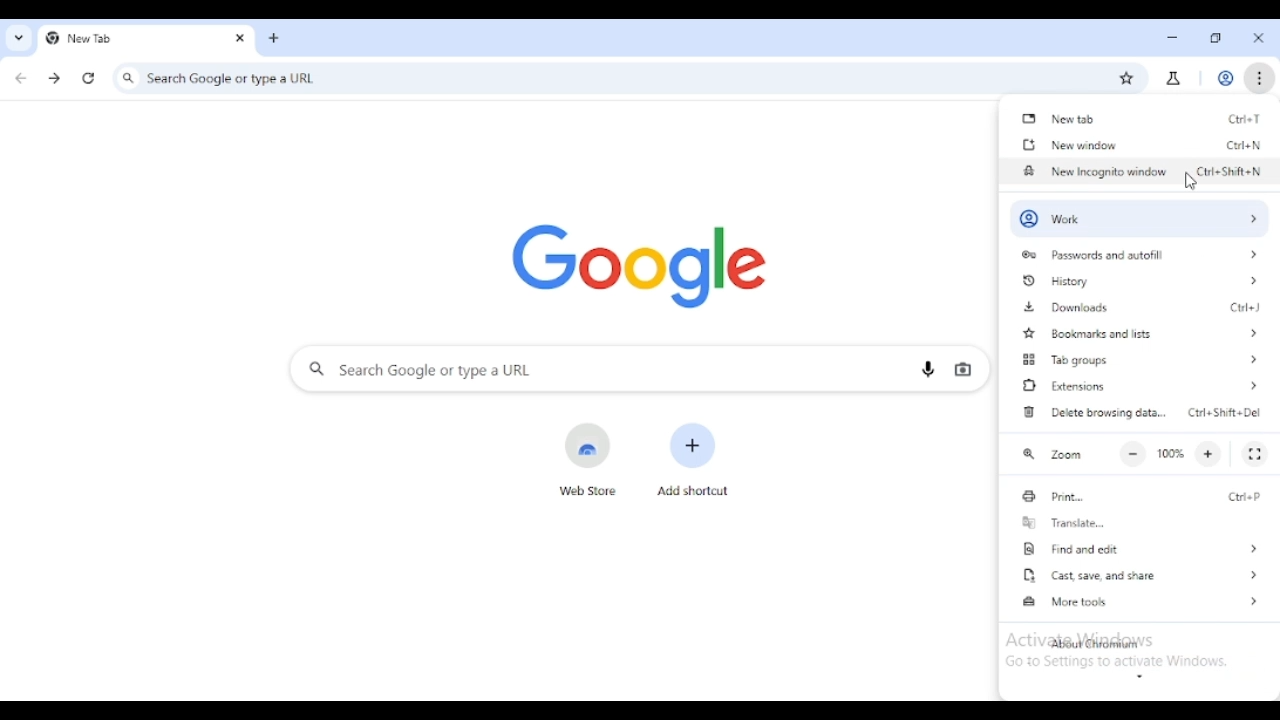 Image resolution: width=1280 pixels, height=720 pixels. Describe the element at coordinates (275, 38) in the screenshot. I see `add tab` at that location.